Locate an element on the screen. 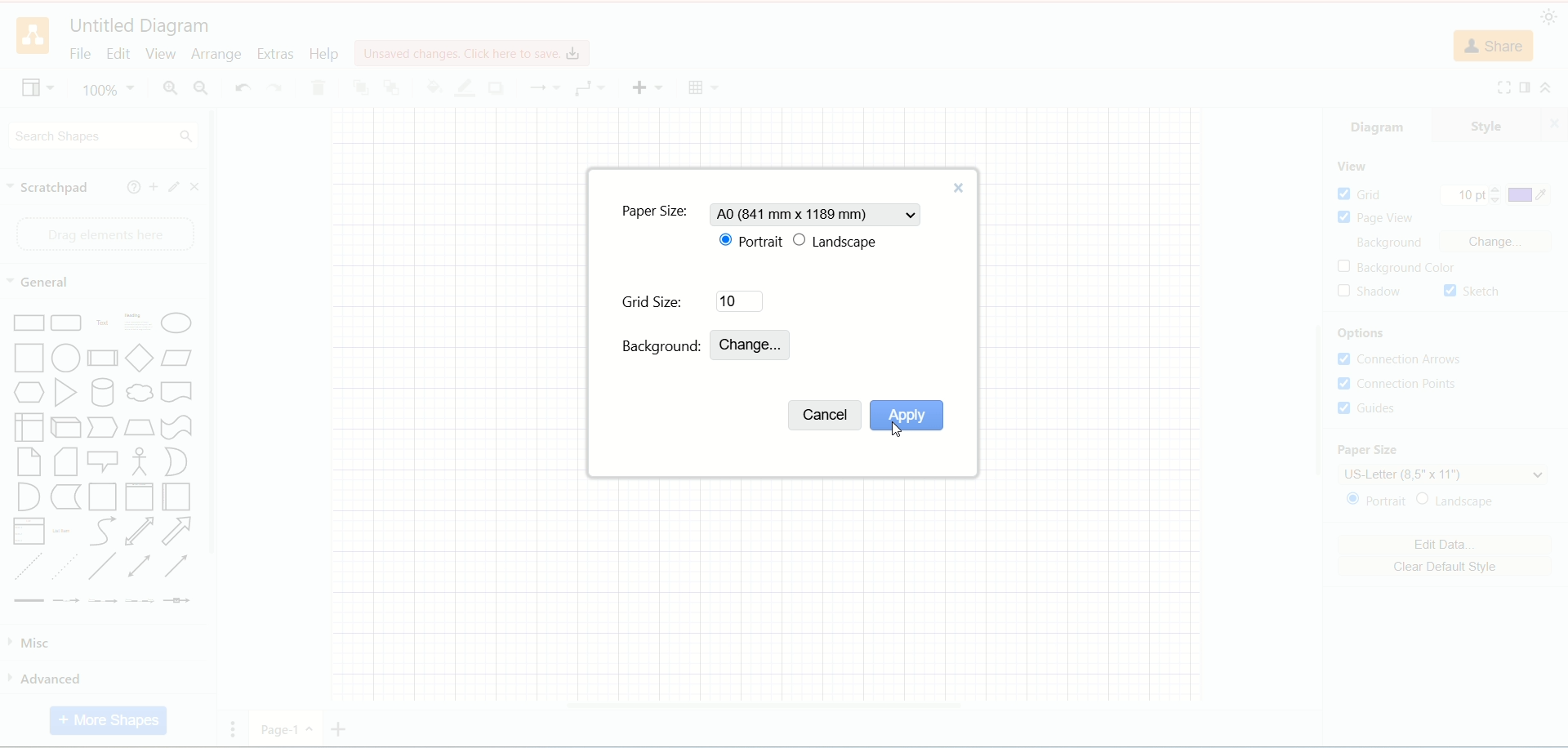  diagram is located at coordinates (1380, 124).